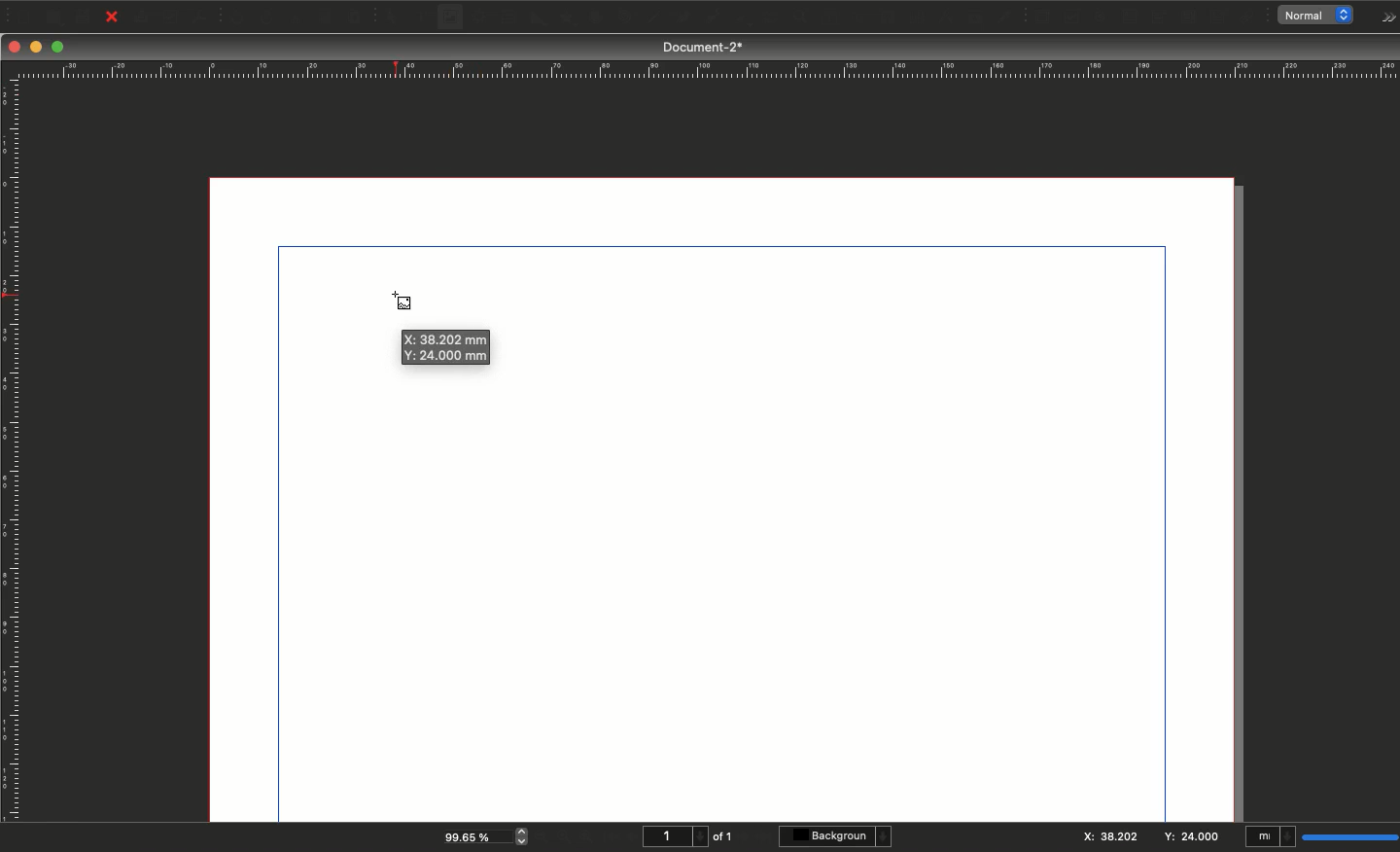 The image size is (1400, 852). I want to click on Copy item properties, so click(972, 18).